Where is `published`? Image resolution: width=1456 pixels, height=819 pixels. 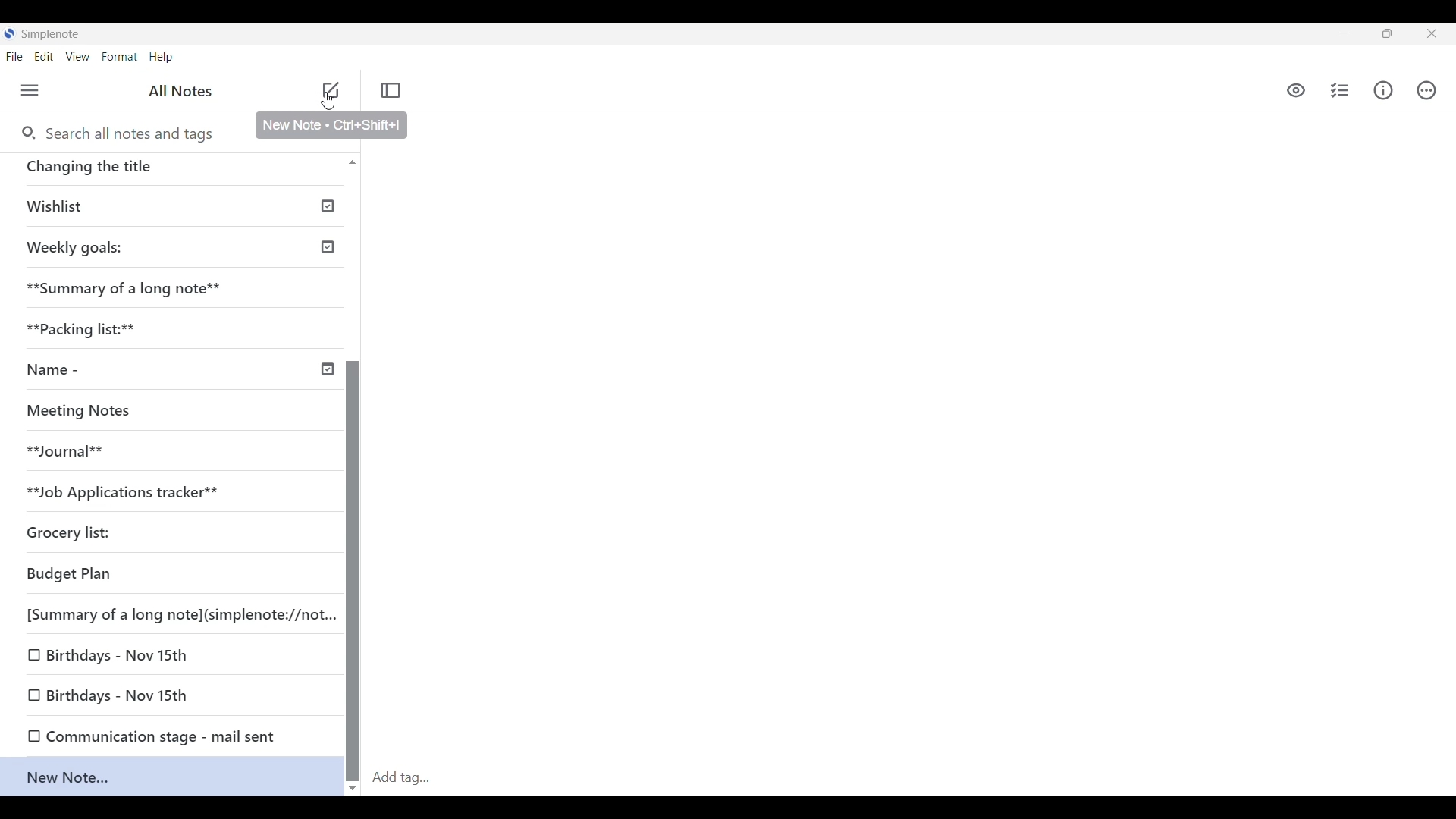 published is located at coordinates (327, 369).